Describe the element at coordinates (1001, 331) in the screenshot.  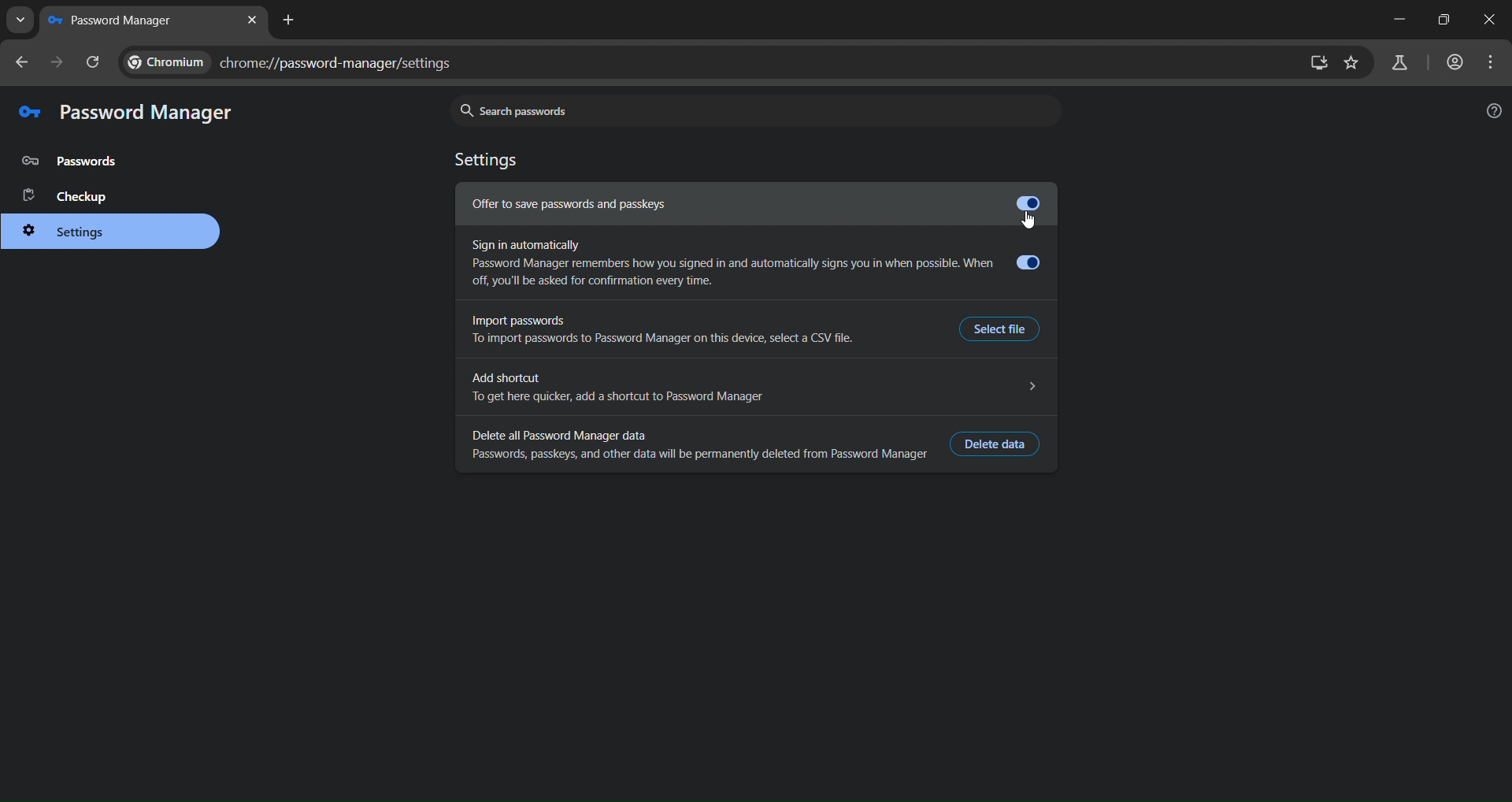
I see `Select File` at that location.